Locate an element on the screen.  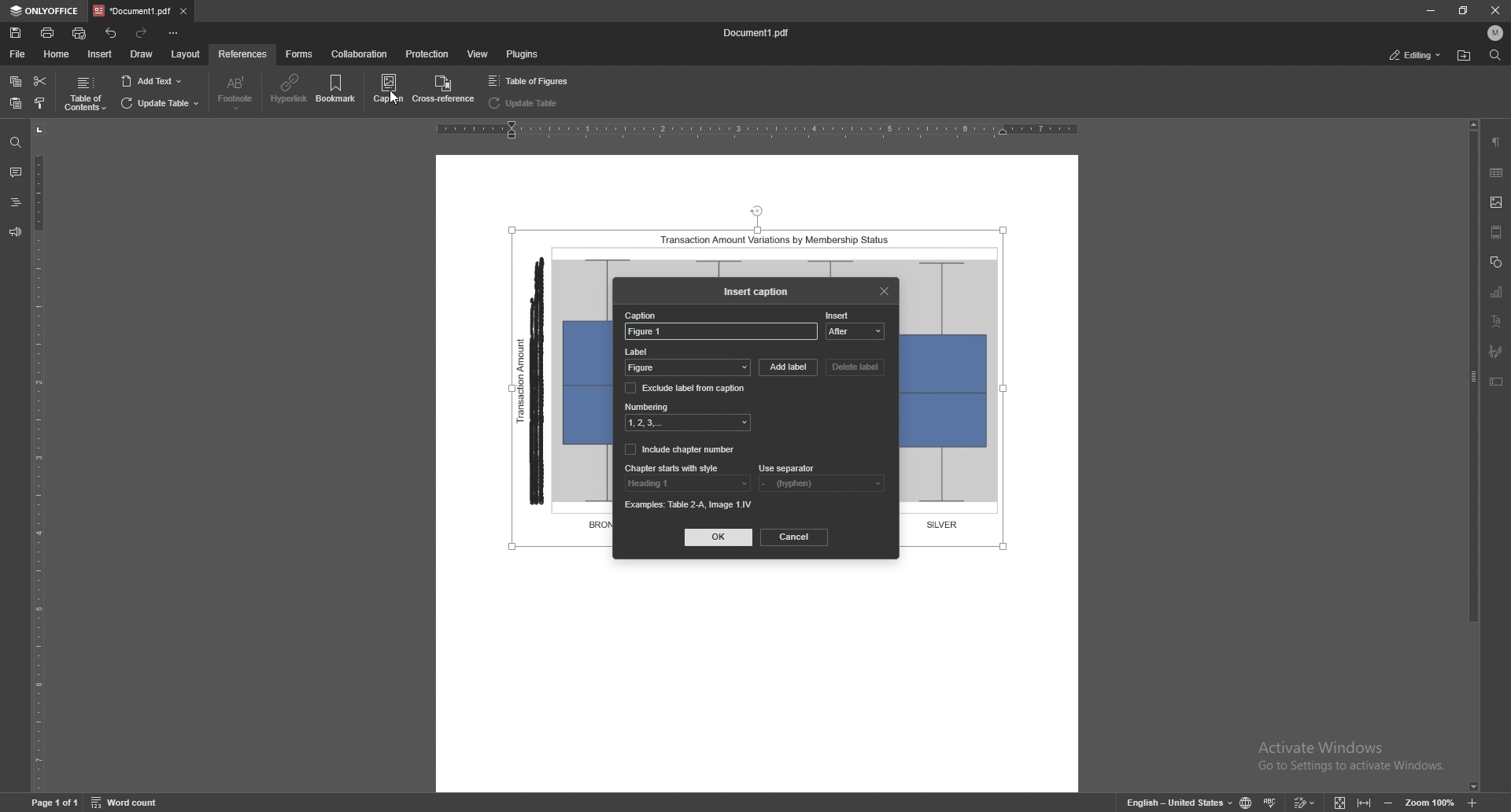
scroll bar is located at coordinates (1471, 456).